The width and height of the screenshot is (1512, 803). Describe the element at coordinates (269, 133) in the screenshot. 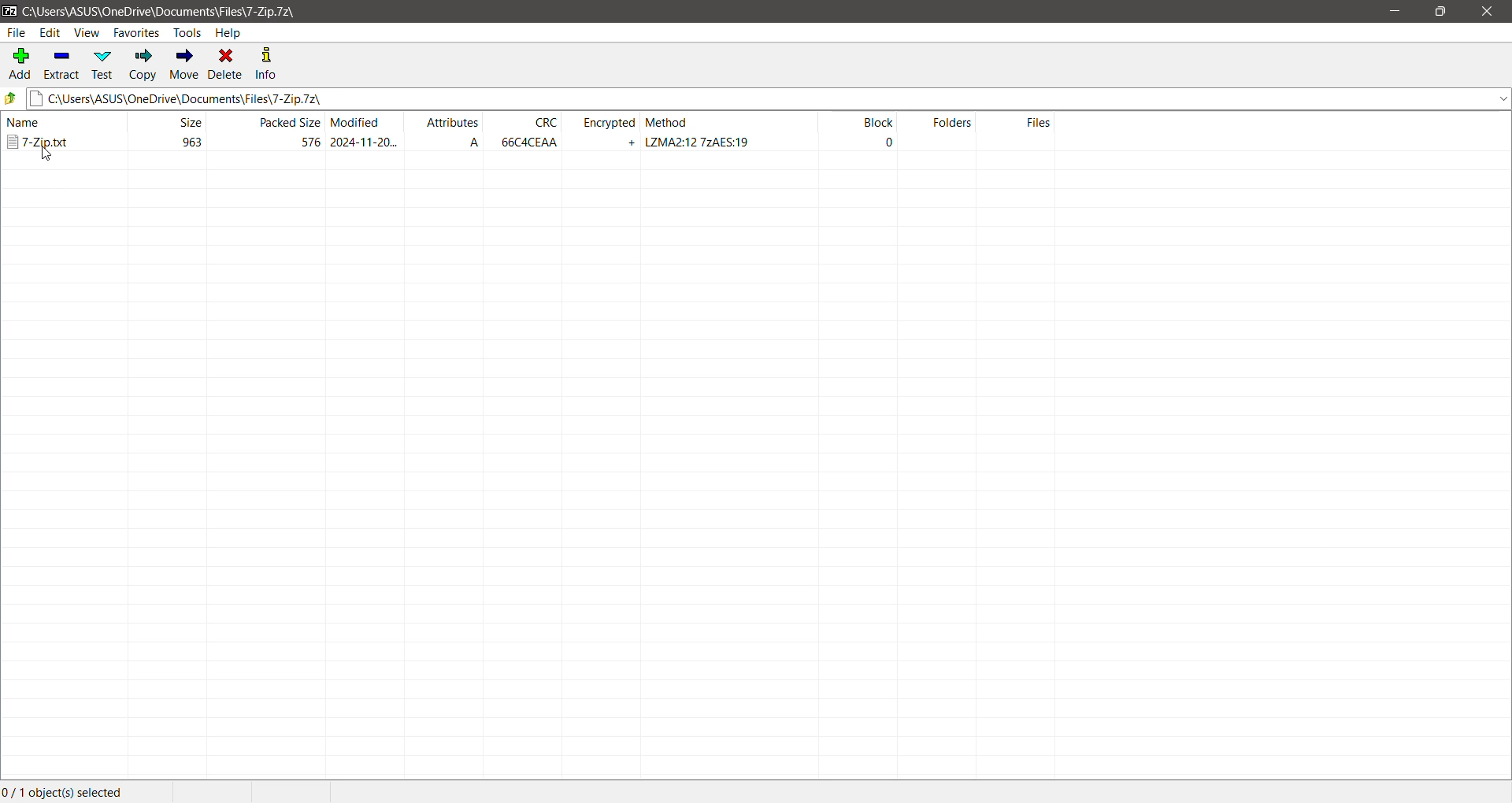

I see `Packed Size` at that location.